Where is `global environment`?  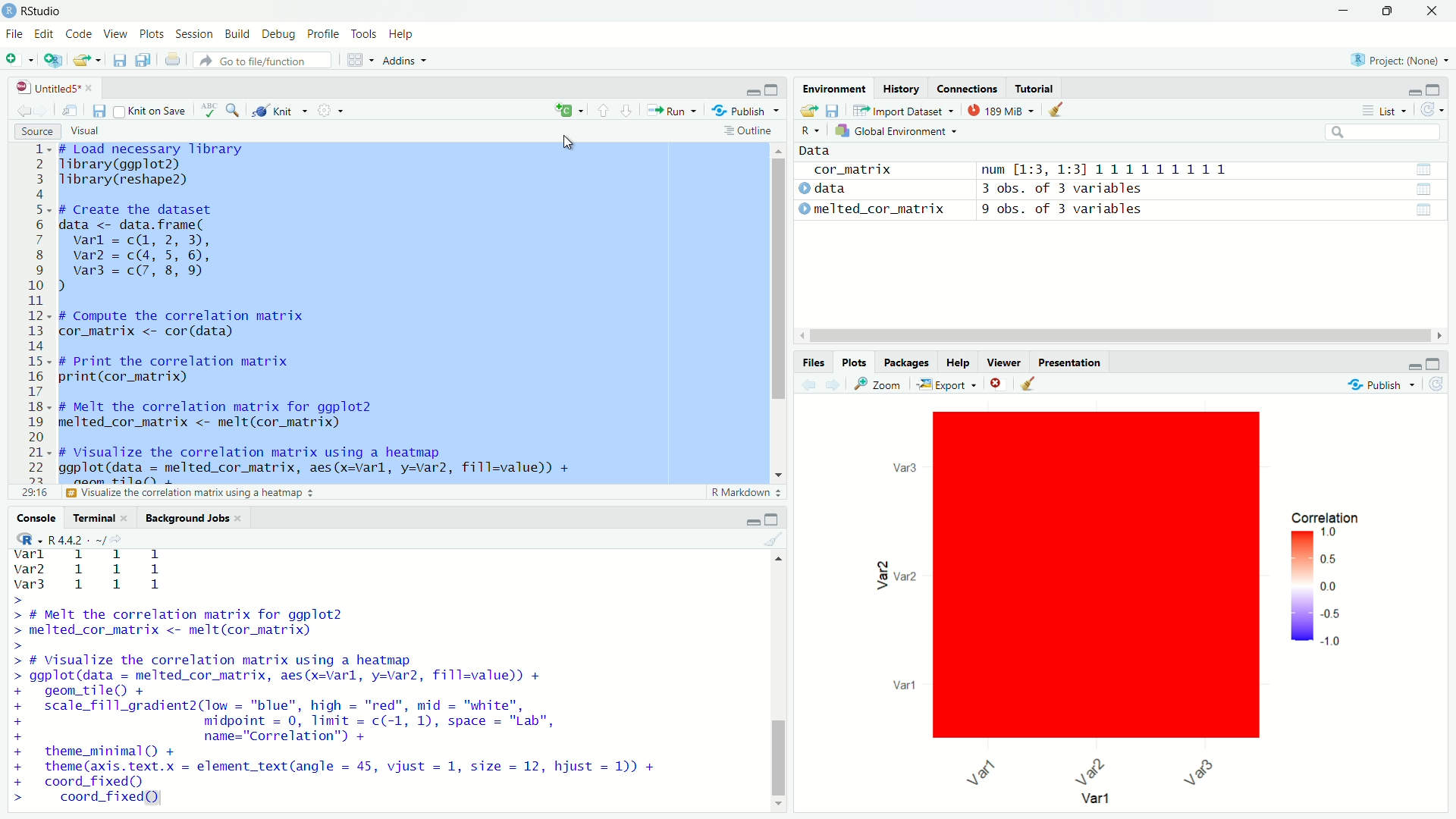
global environment is located at coordinates (896, 132).